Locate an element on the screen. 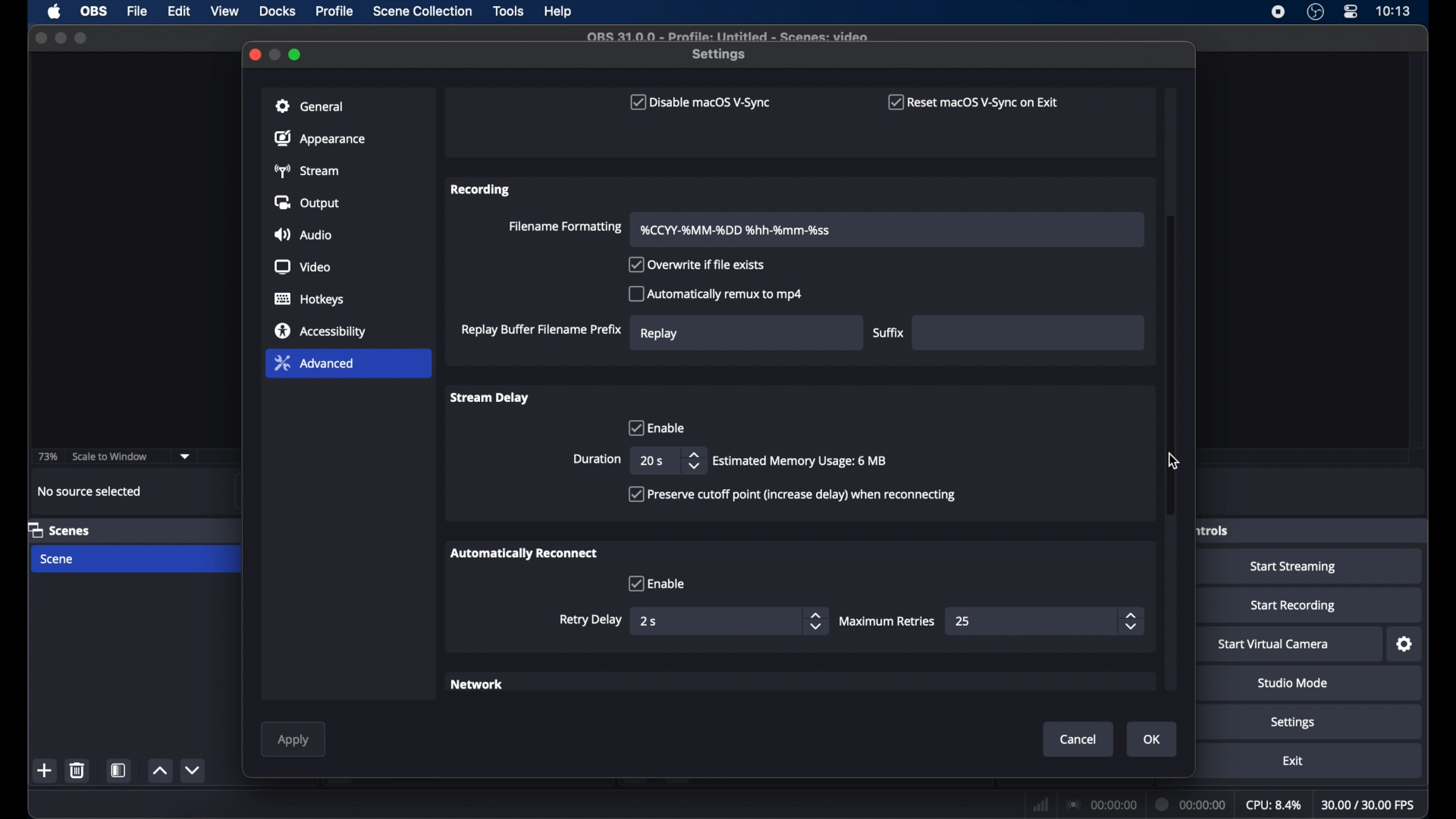 Image resolution: width=1456 pixels, height=819 pixels. duration is located at coordinates (597, 460).